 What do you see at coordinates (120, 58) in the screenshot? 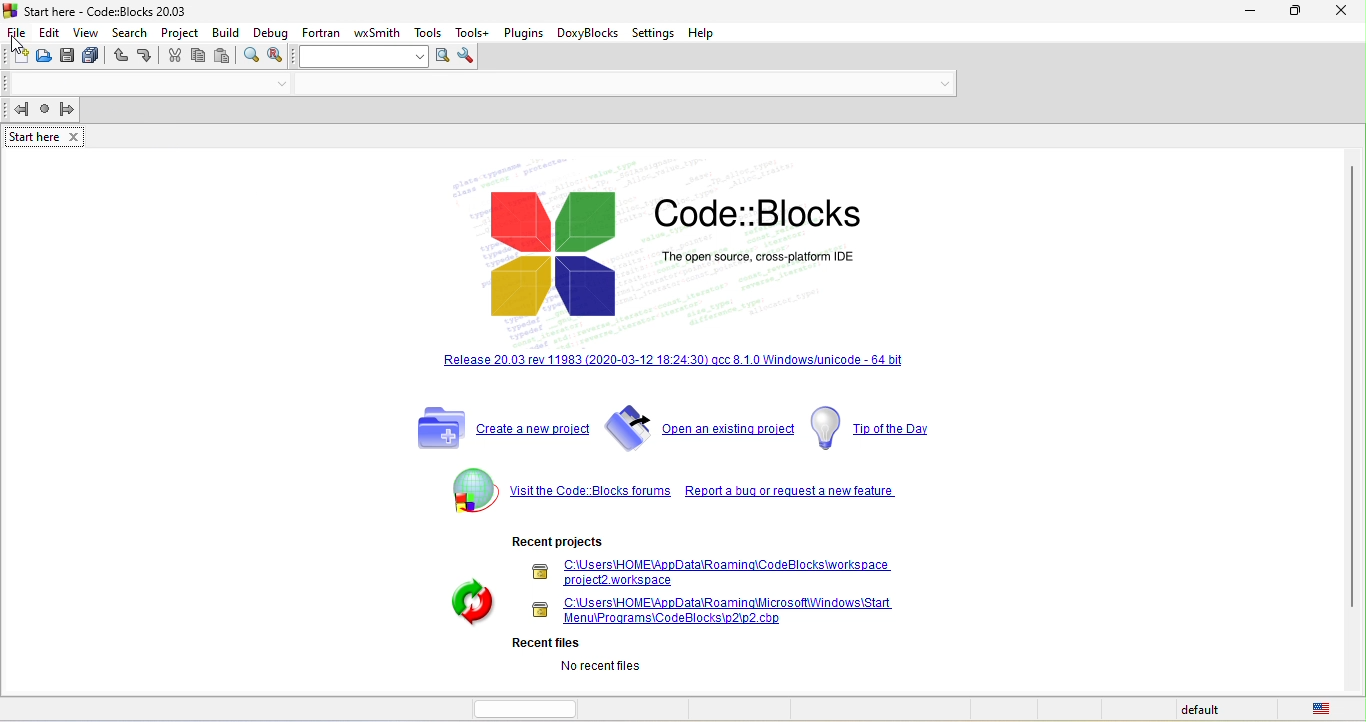
I see `undo` at bounding box center [120, 58].